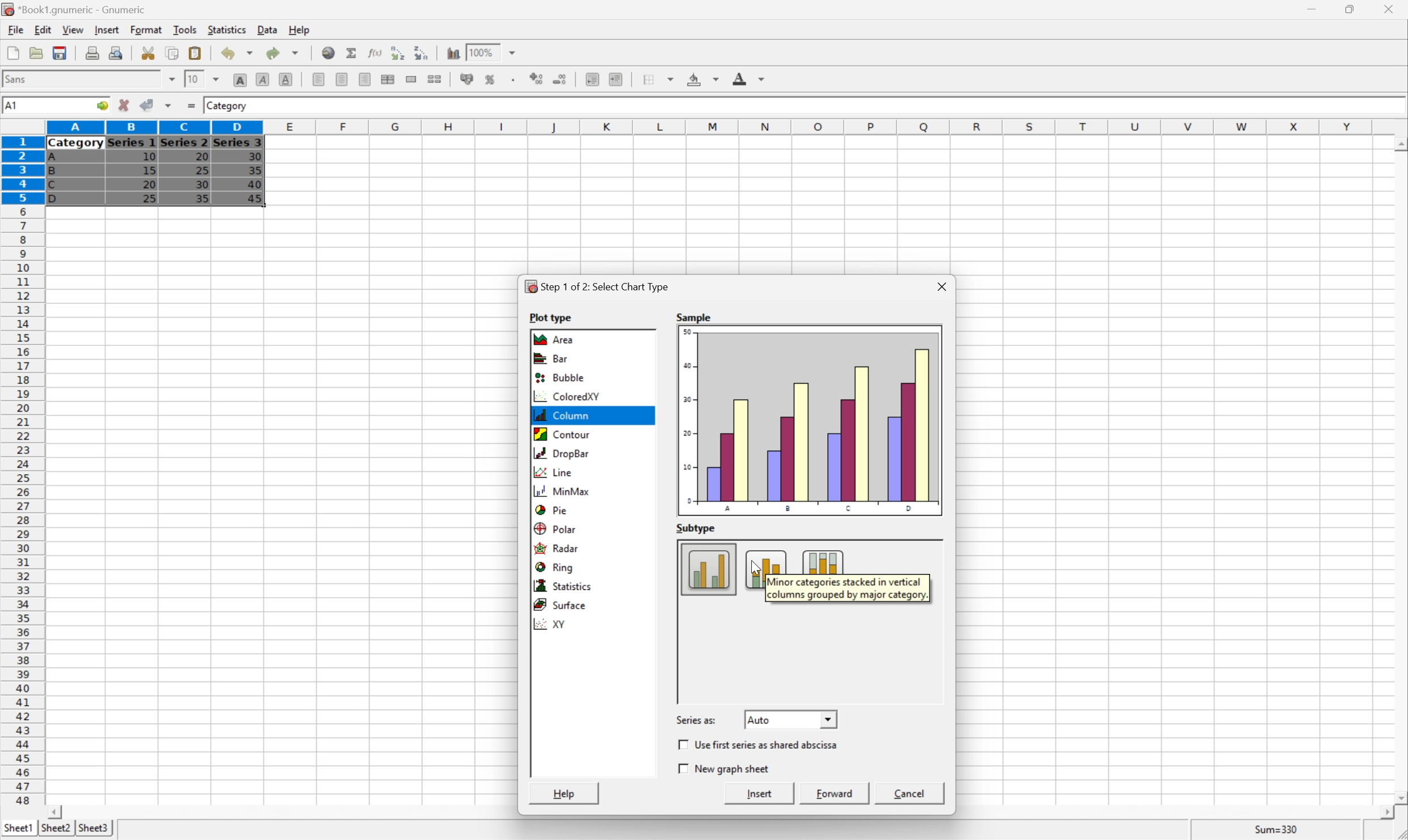 This screenshot has height=840, width=1408. What do you see at coordinates (343, 78) in the screenshot?
I see `Center horizontally` at bounding box center [343, 78].